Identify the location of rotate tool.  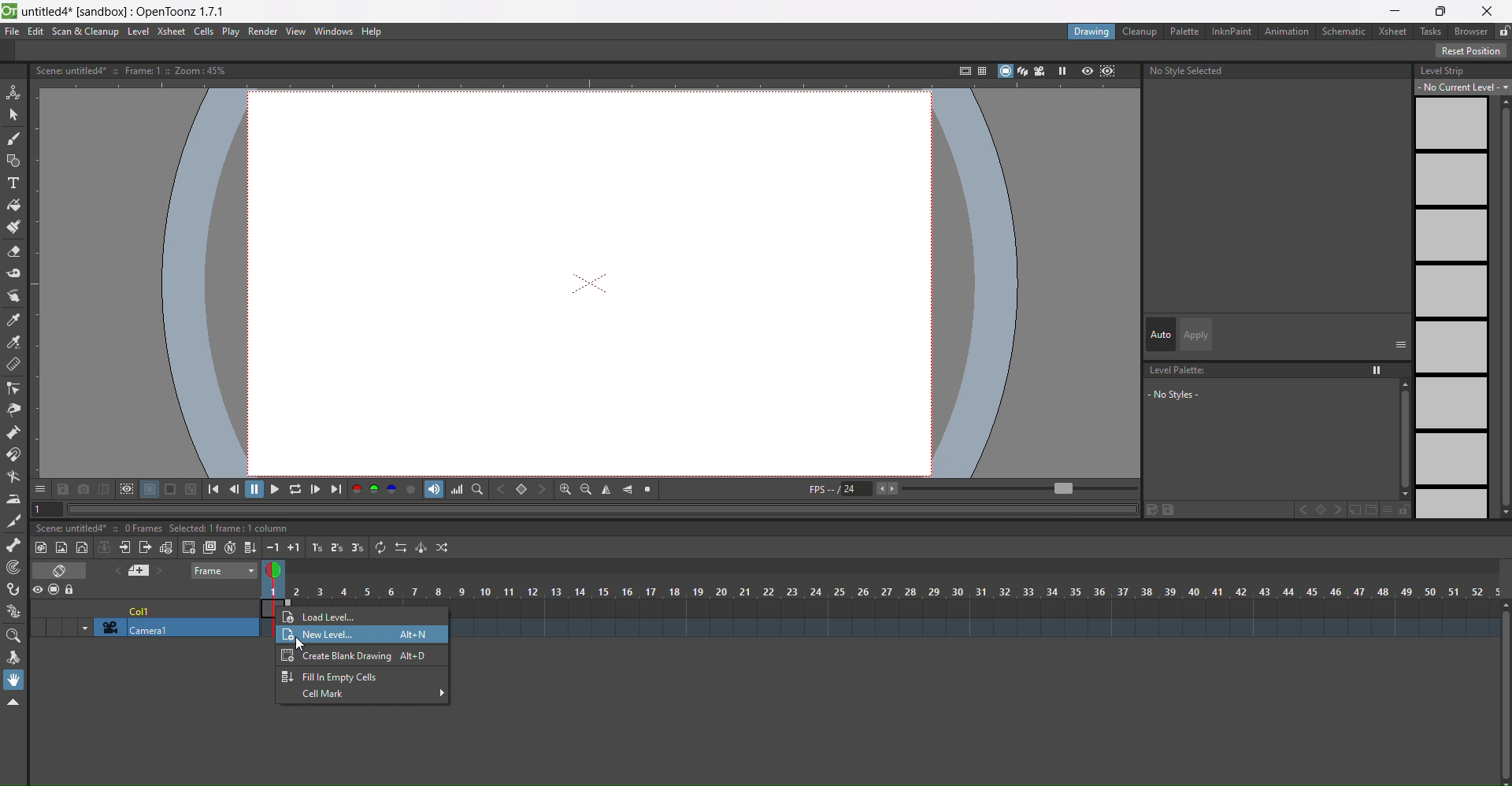
(13, 658).